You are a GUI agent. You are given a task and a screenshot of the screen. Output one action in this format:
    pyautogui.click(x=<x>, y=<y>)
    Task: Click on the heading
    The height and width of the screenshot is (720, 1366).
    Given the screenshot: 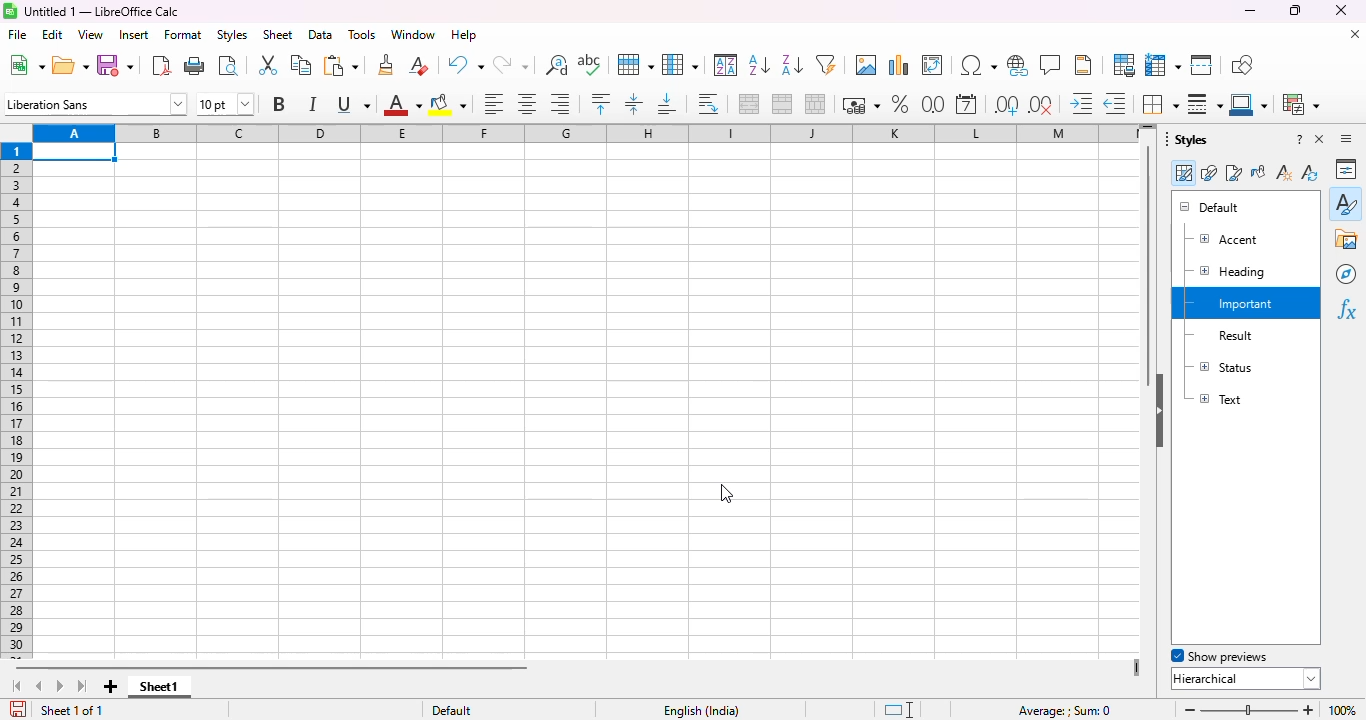 What is the action you would take?
    pyautogui.click(x=1227, y=272)
    